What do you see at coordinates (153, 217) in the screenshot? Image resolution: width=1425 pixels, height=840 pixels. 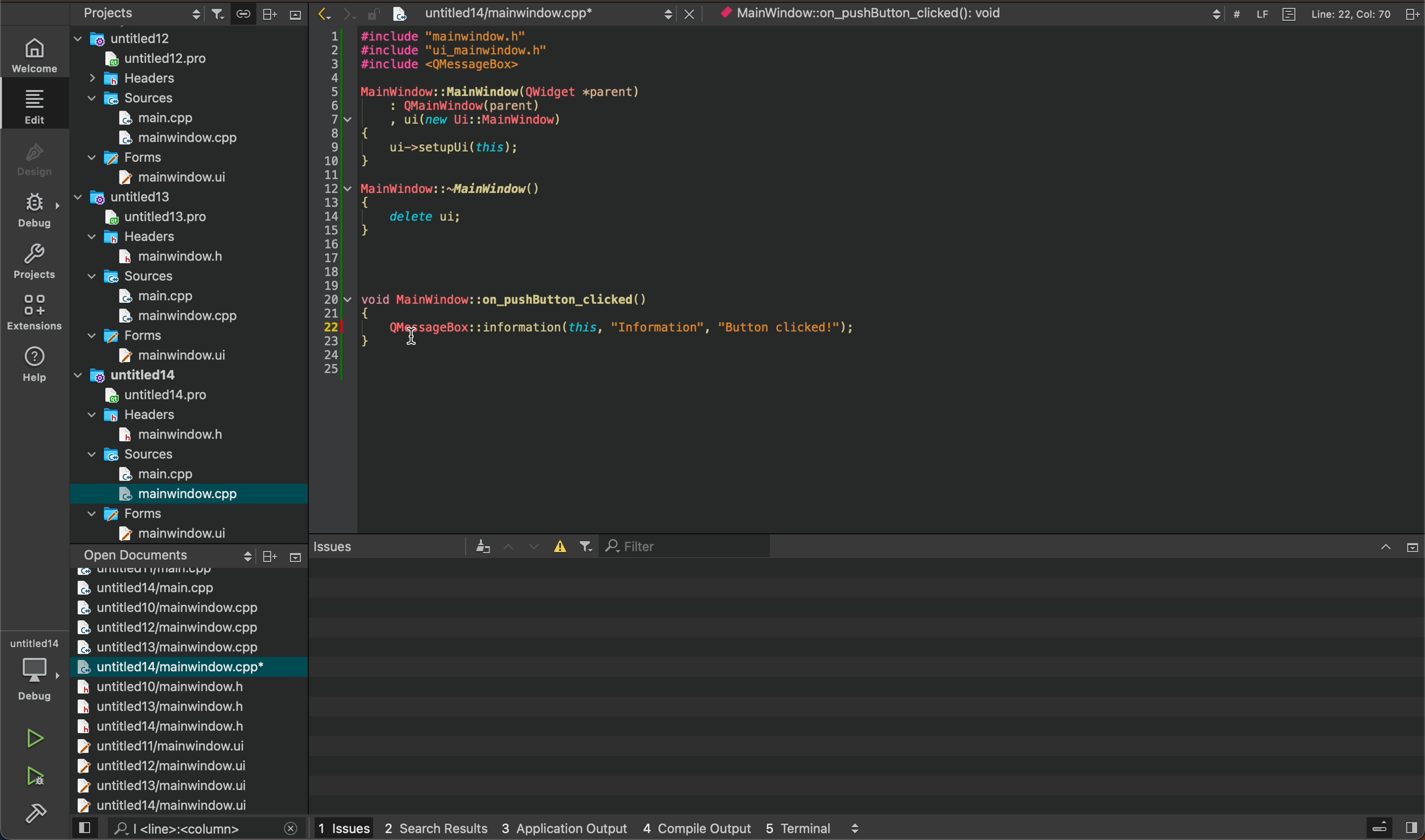 I see `untitled13.pro` at bounding box center [153, 217].